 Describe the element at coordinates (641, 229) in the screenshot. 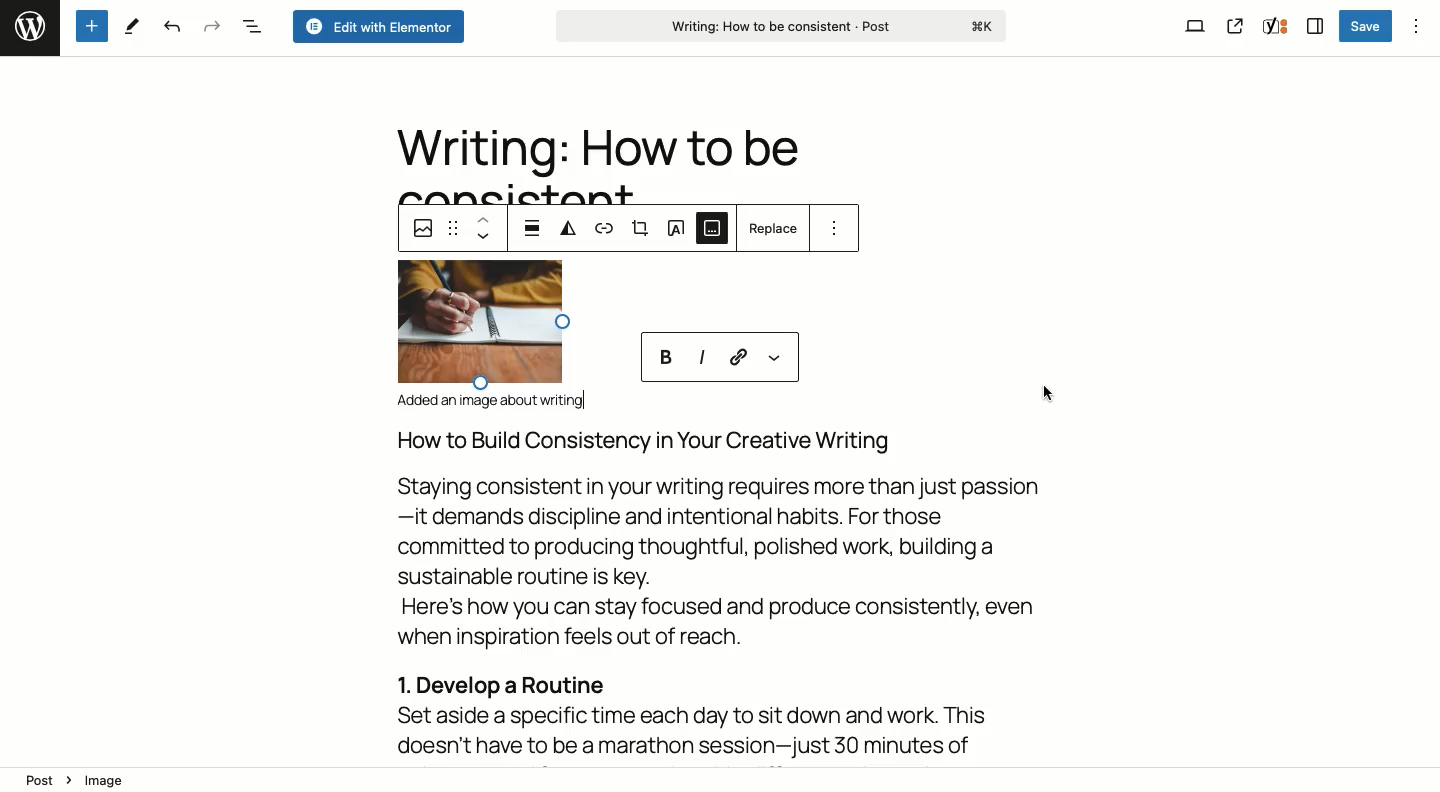

I see `Crop` at that location.